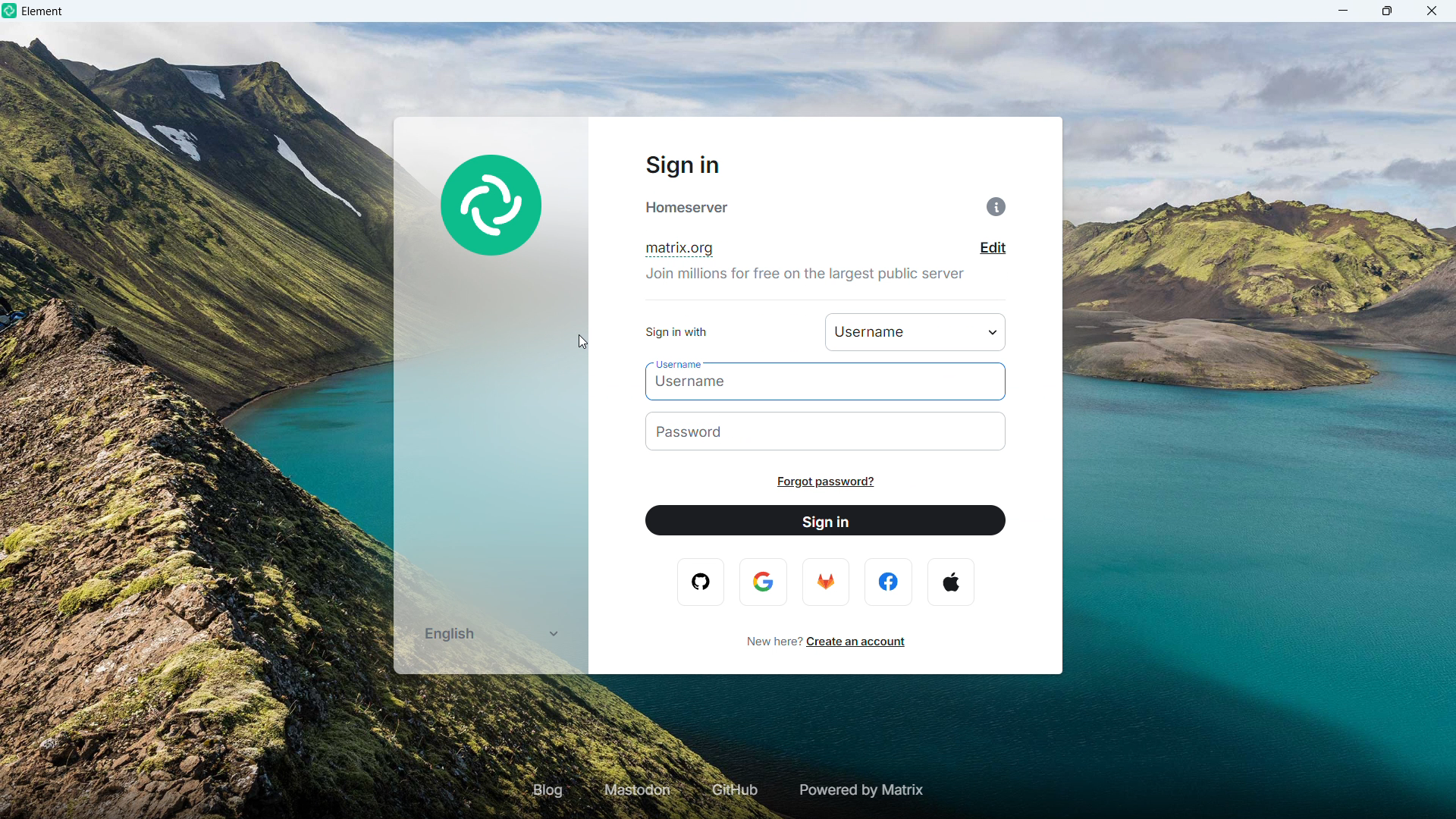  What do you see at coordinates (489, 633) in the screenshot?
I see `Select language ` at bounding box center [489, 633].